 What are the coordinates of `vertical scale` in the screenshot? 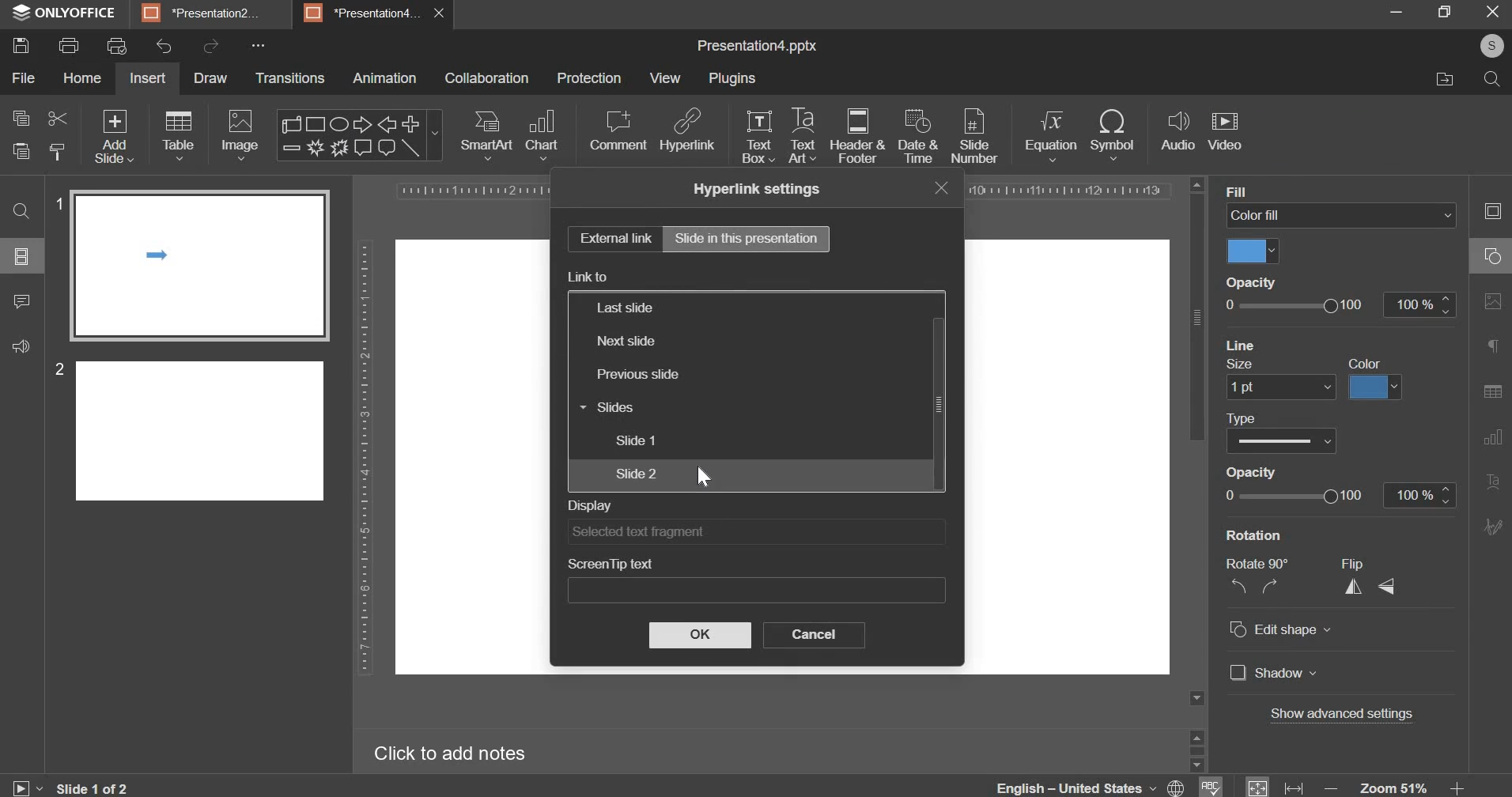 It's located at (360, 459).